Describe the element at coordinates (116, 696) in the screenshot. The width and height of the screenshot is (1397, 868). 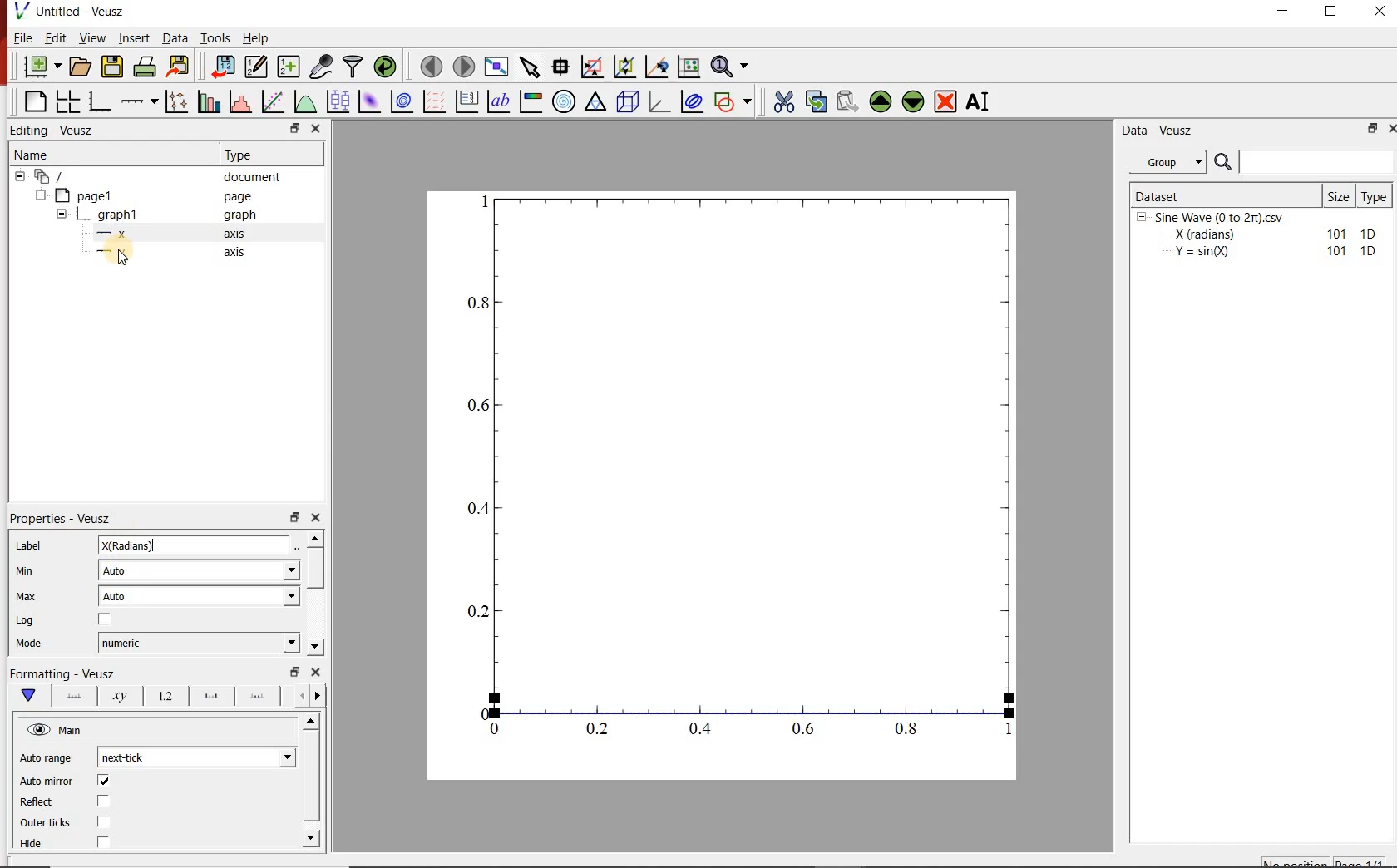
I see `xy` at that location.